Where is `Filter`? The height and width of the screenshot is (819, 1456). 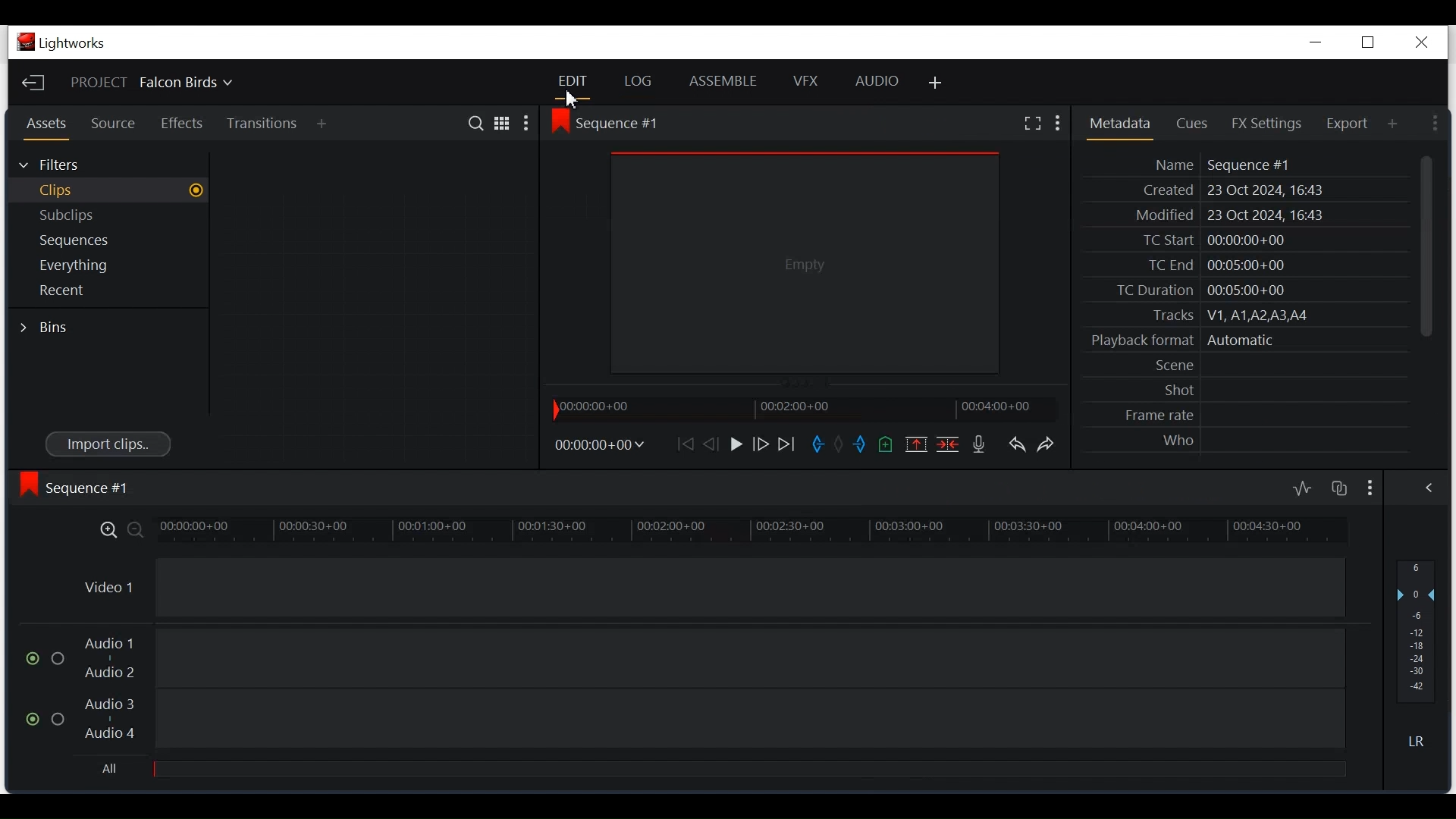
Filter is located at coordinates (63, 165).